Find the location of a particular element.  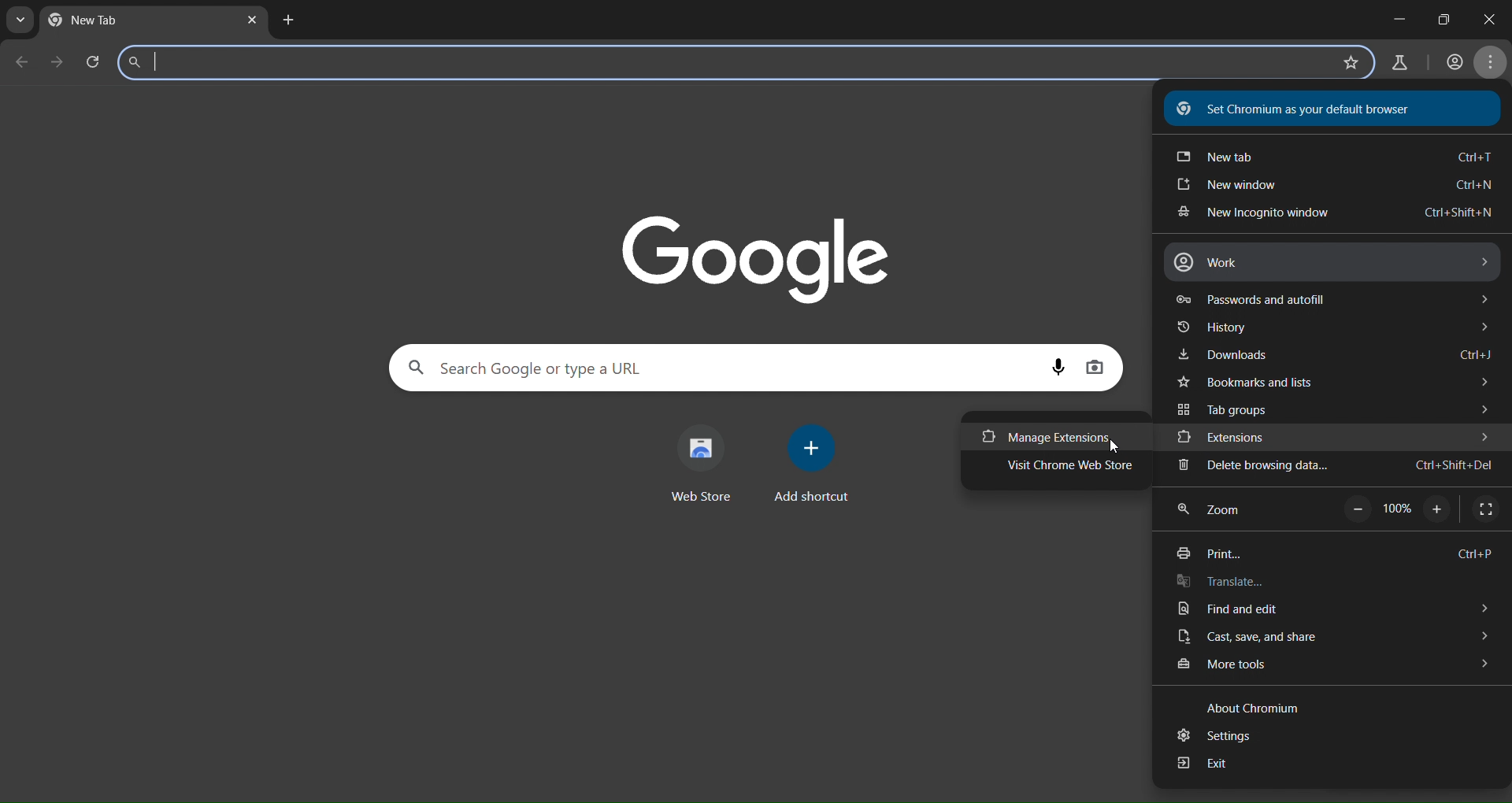

settings is located at coordinates (1217, 735).